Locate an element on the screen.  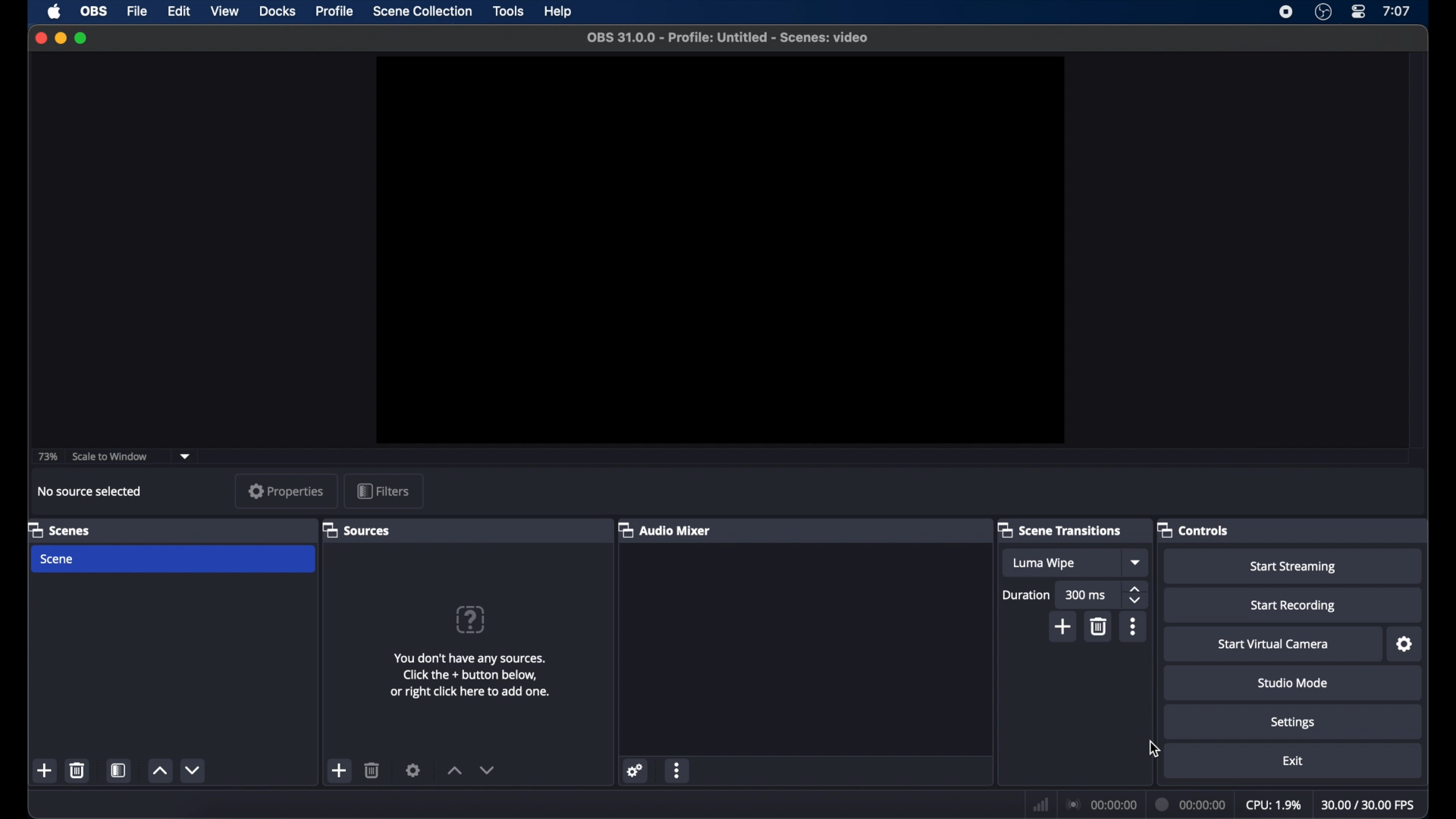
control center is located at coordinates (1357, 11).